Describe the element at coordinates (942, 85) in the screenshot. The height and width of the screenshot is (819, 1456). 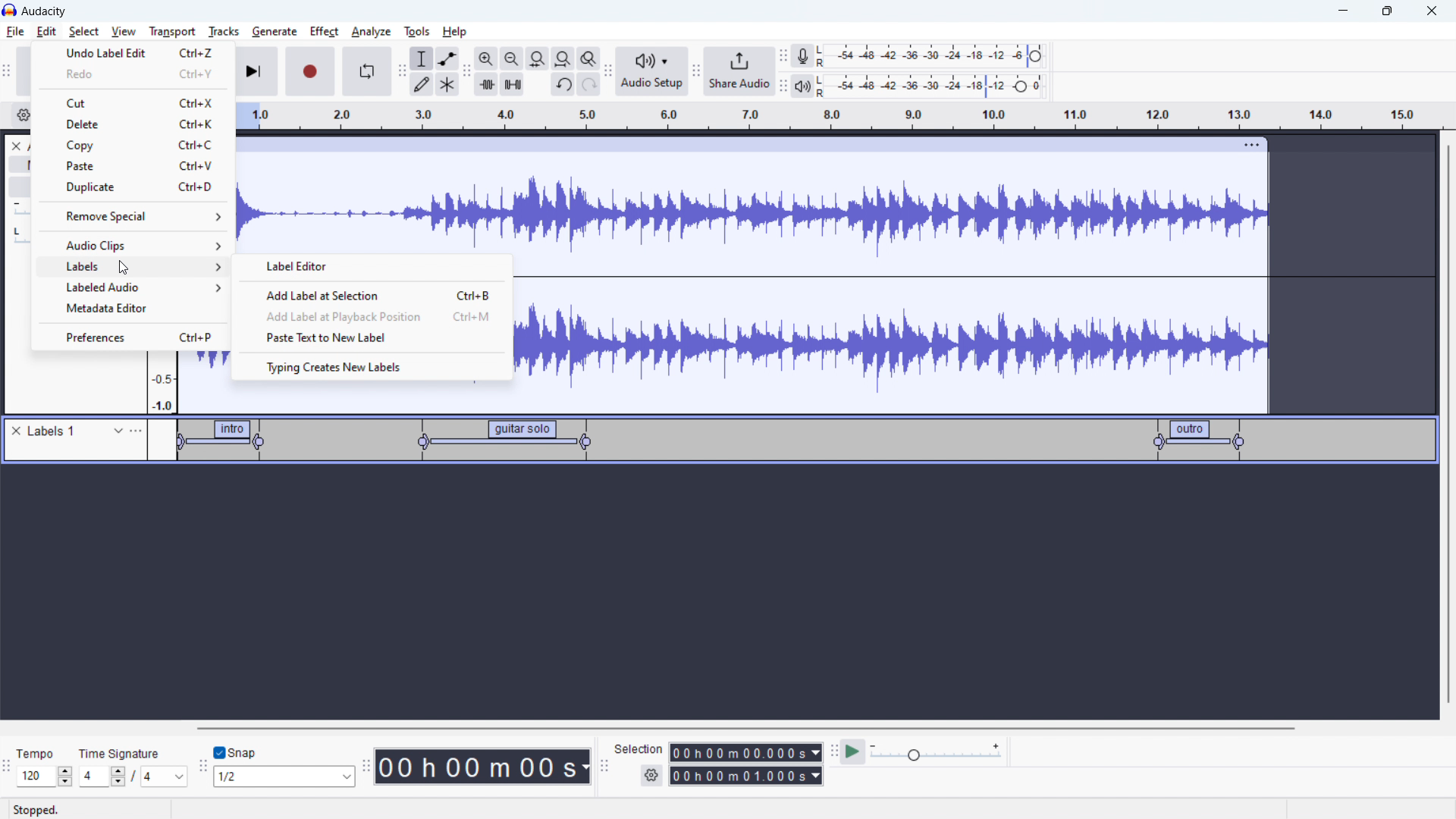
I see `playback level` at that location.